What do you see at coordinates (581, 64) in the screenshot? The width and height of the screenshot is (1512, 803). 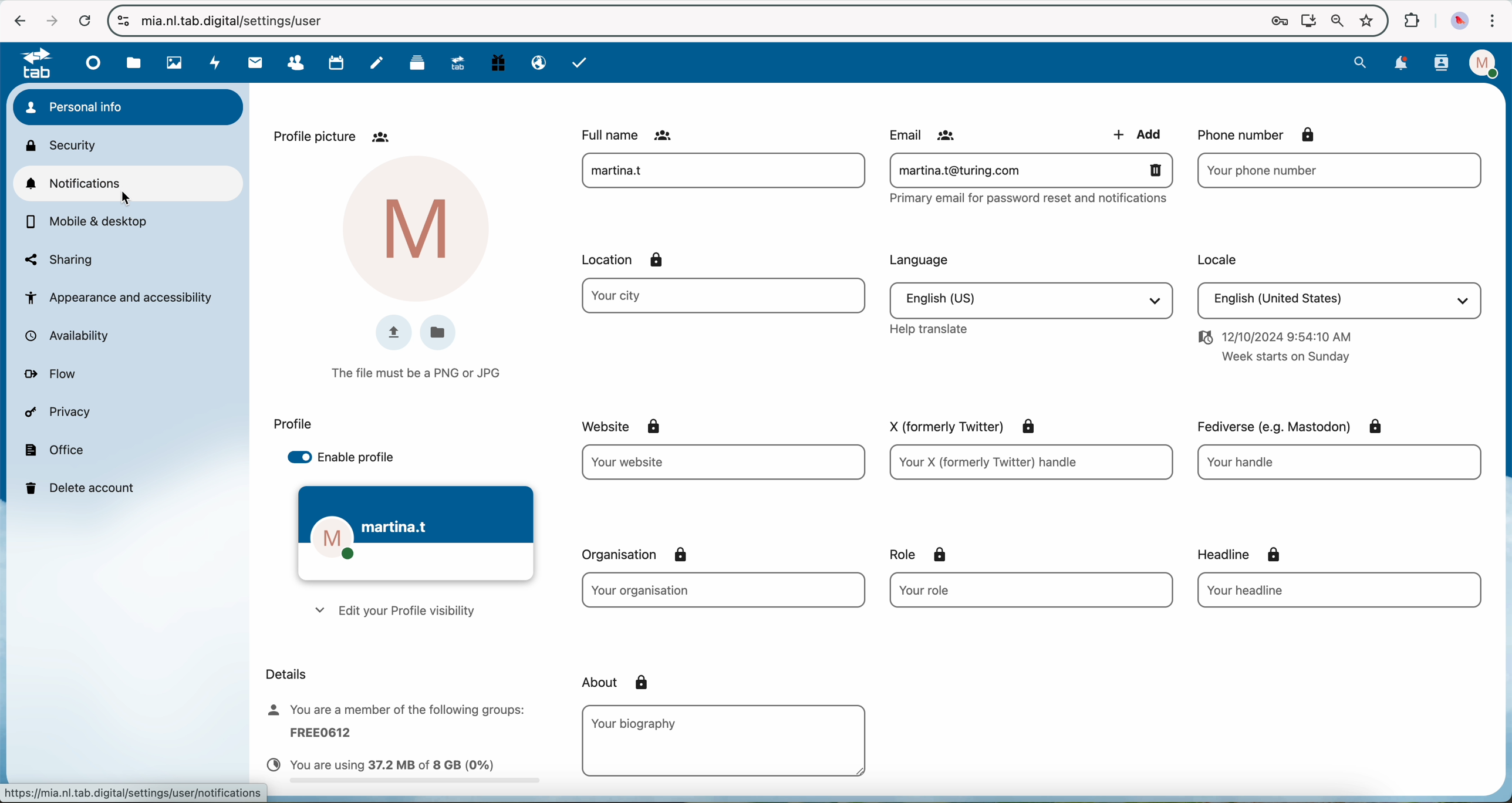 I see `task` at bounding box center [581, 64].